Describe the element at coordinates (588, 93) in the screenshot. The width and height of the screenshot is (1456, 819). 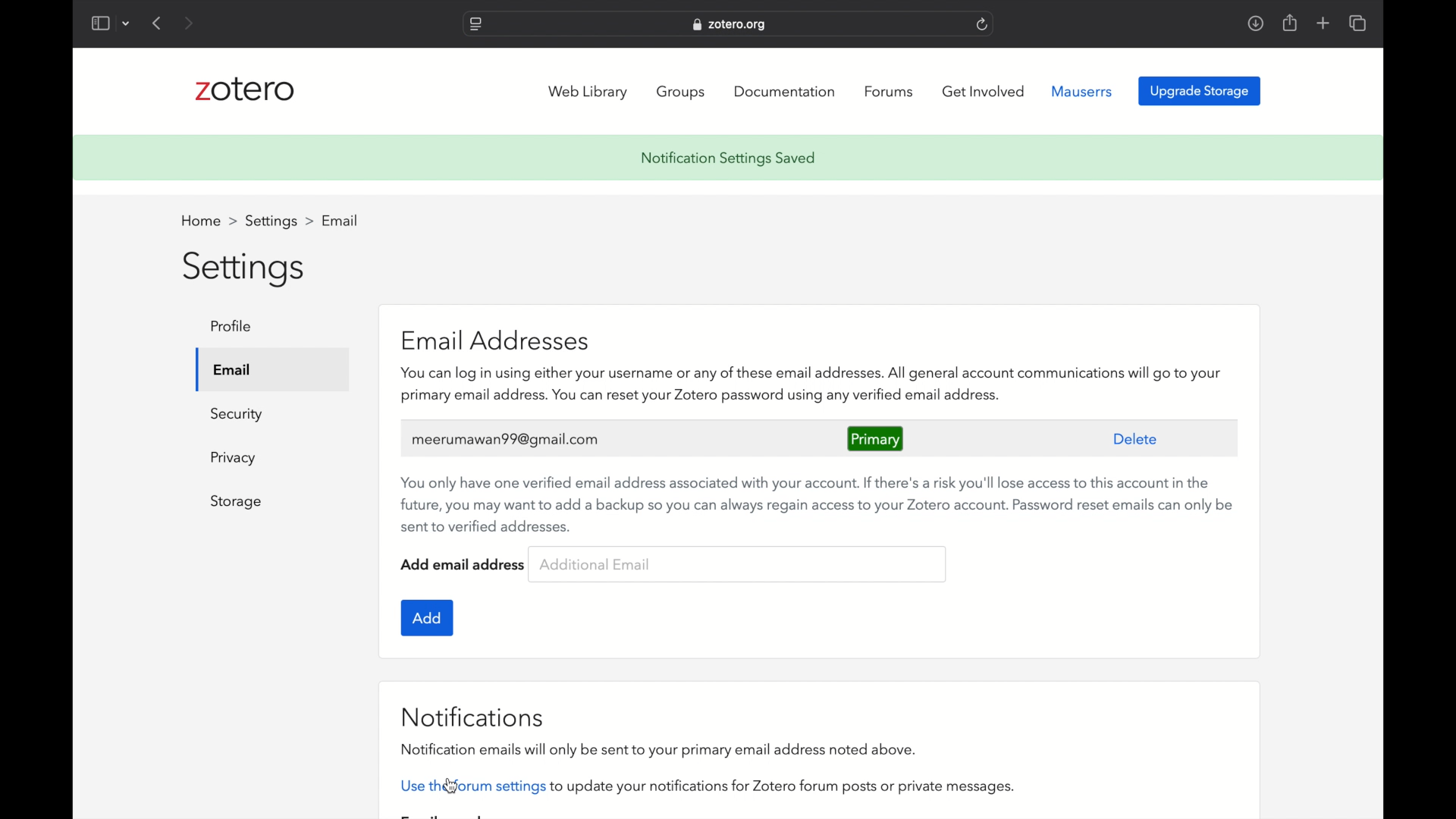
I see `web library` at that location.